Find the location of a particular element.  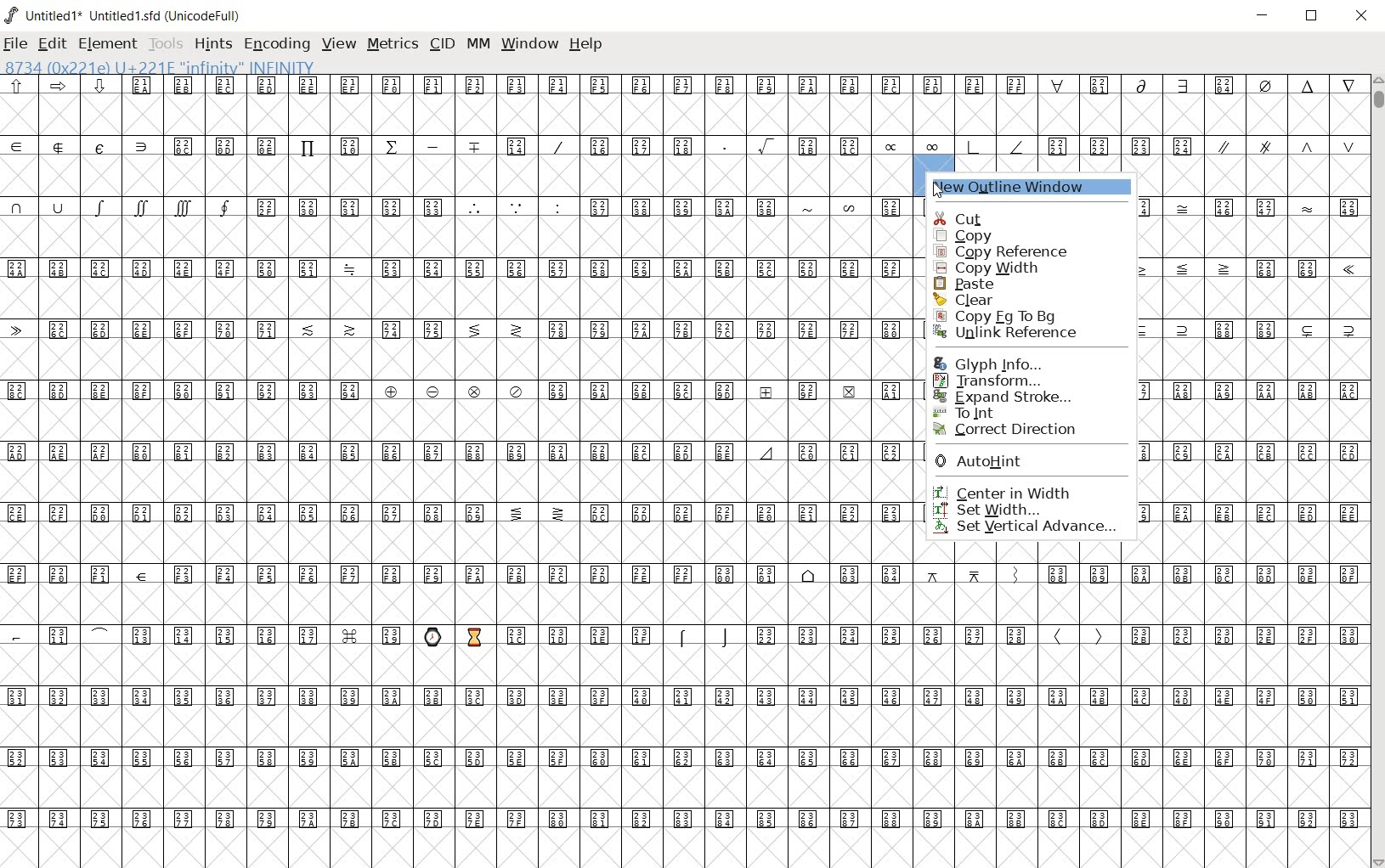

Unicode code points is located at coordinates (455, 514).